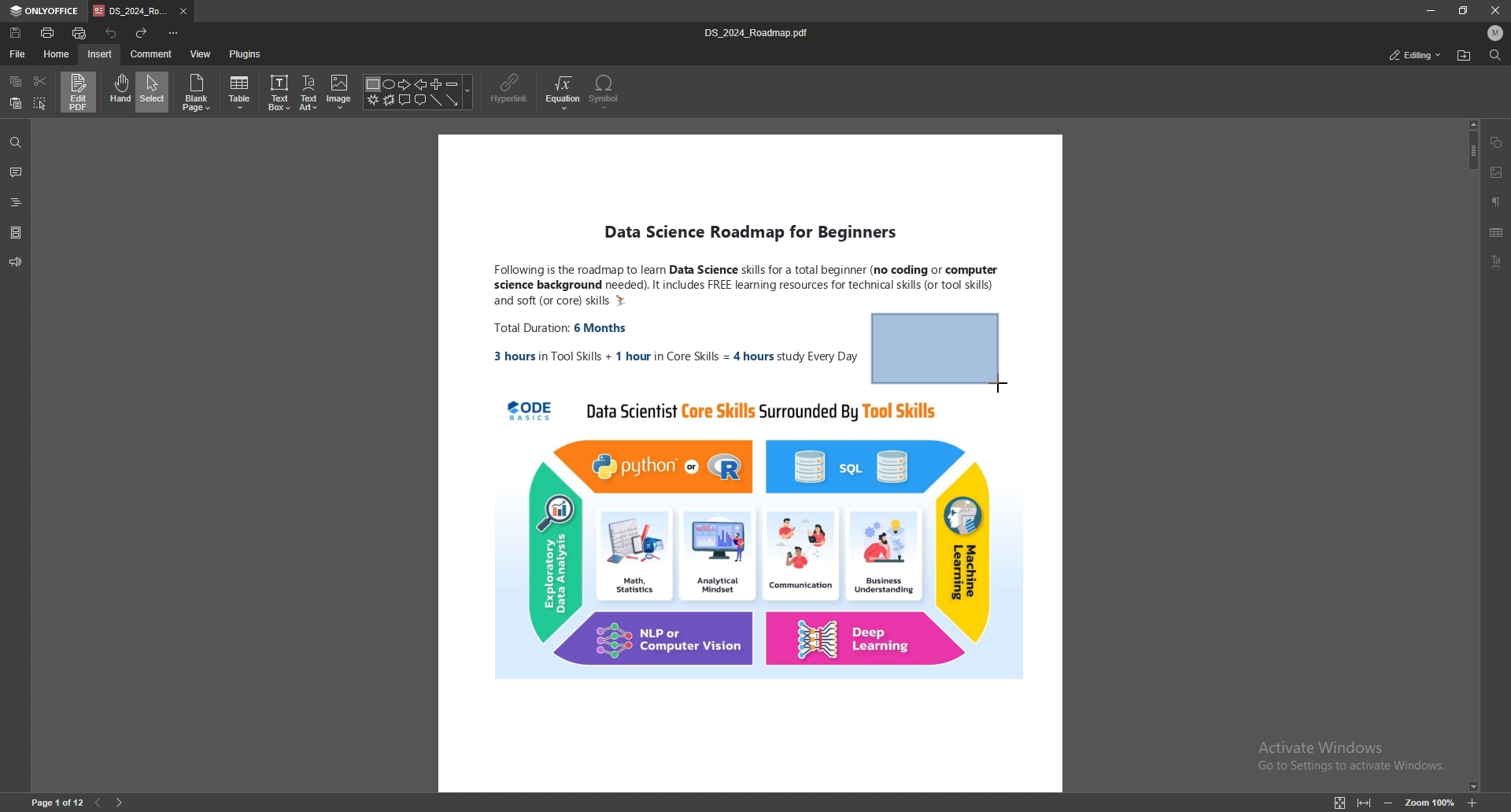 The width and height of the screenshot is (1511, 812). I want to click on pdf, so click(933, 544).